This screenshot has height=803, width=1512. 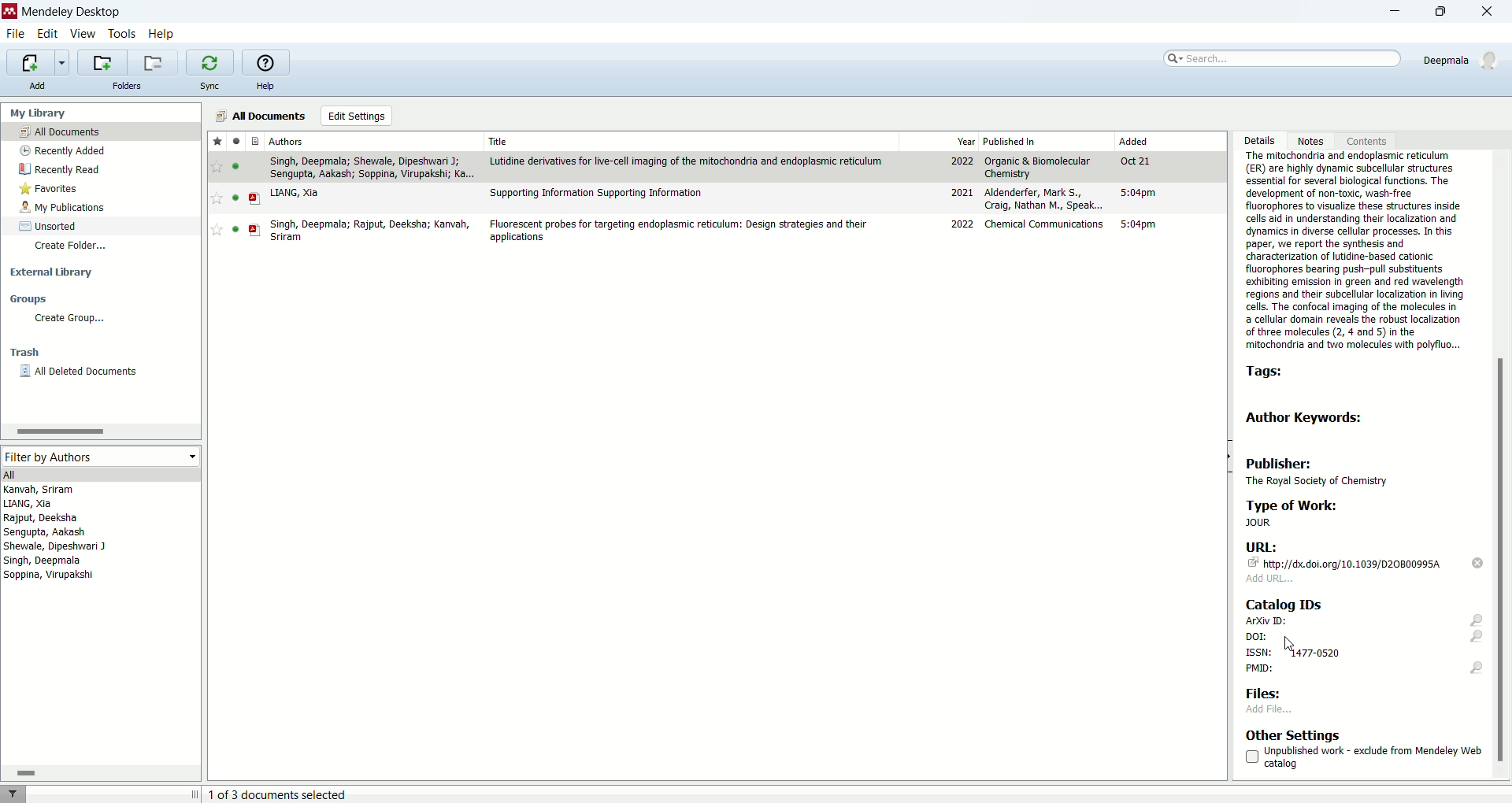 I want to click on singh, deepmala, so click(x=44, y=561).